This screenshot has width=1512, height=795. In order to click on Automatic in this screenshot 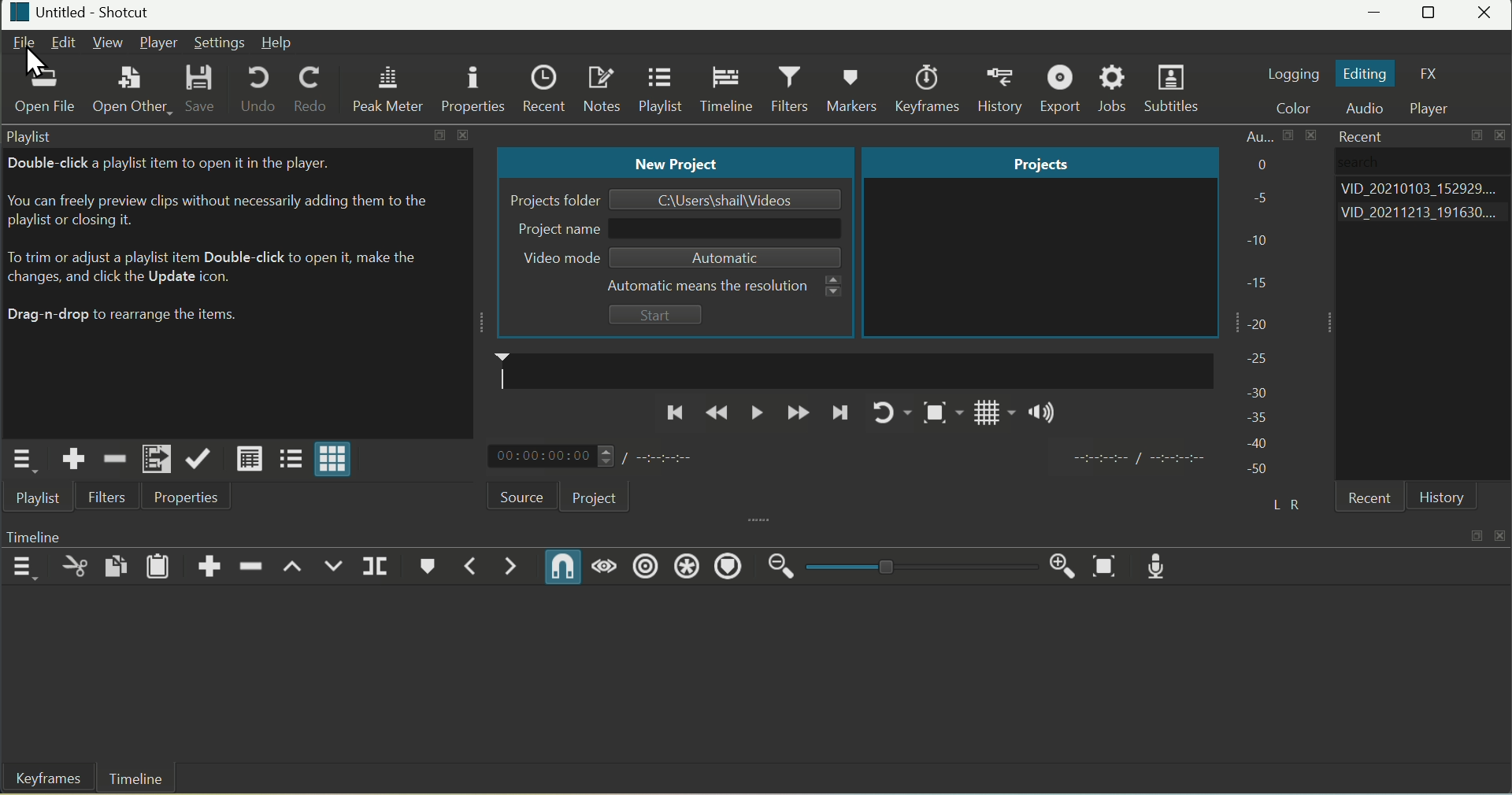, I will do `click(717, 257)`.